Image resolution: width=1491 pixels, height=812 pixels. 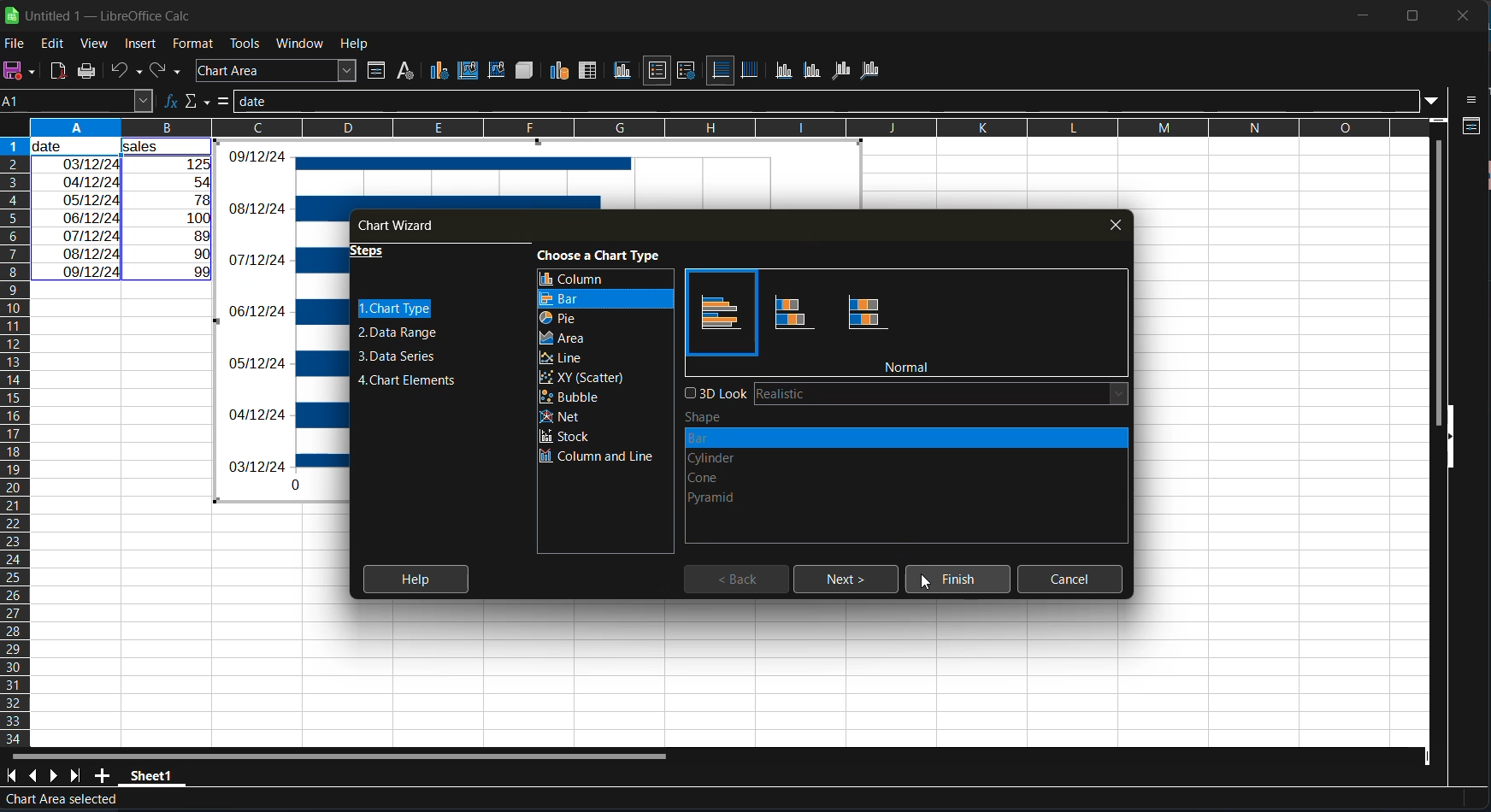 What do you see at coordinates (684, 69) in the screenshot?
I see `legend` at bounding box center [684, 69].